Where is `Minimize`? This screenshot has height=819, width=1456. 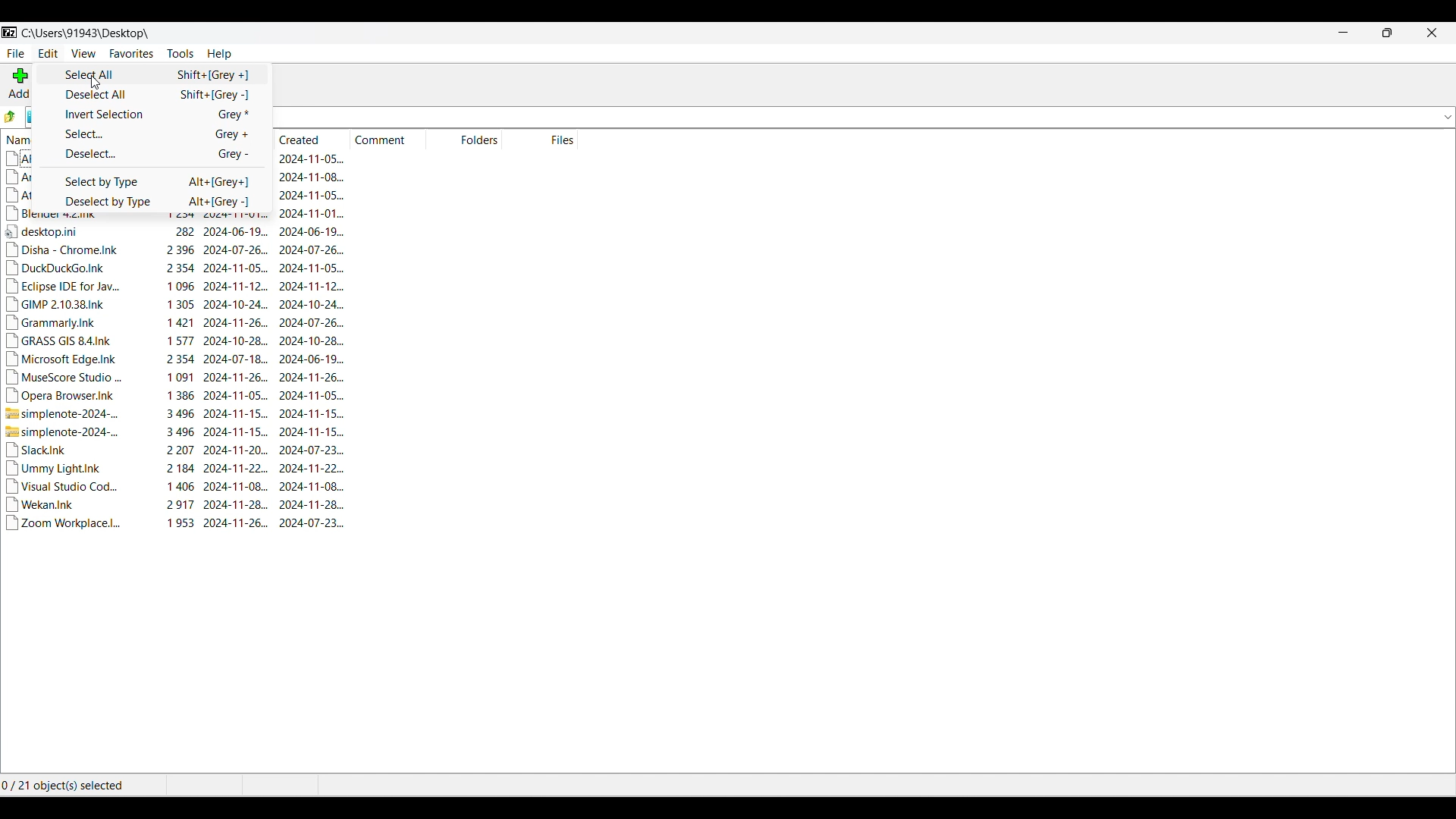
Minimize is located at coordinates (1344, 33).